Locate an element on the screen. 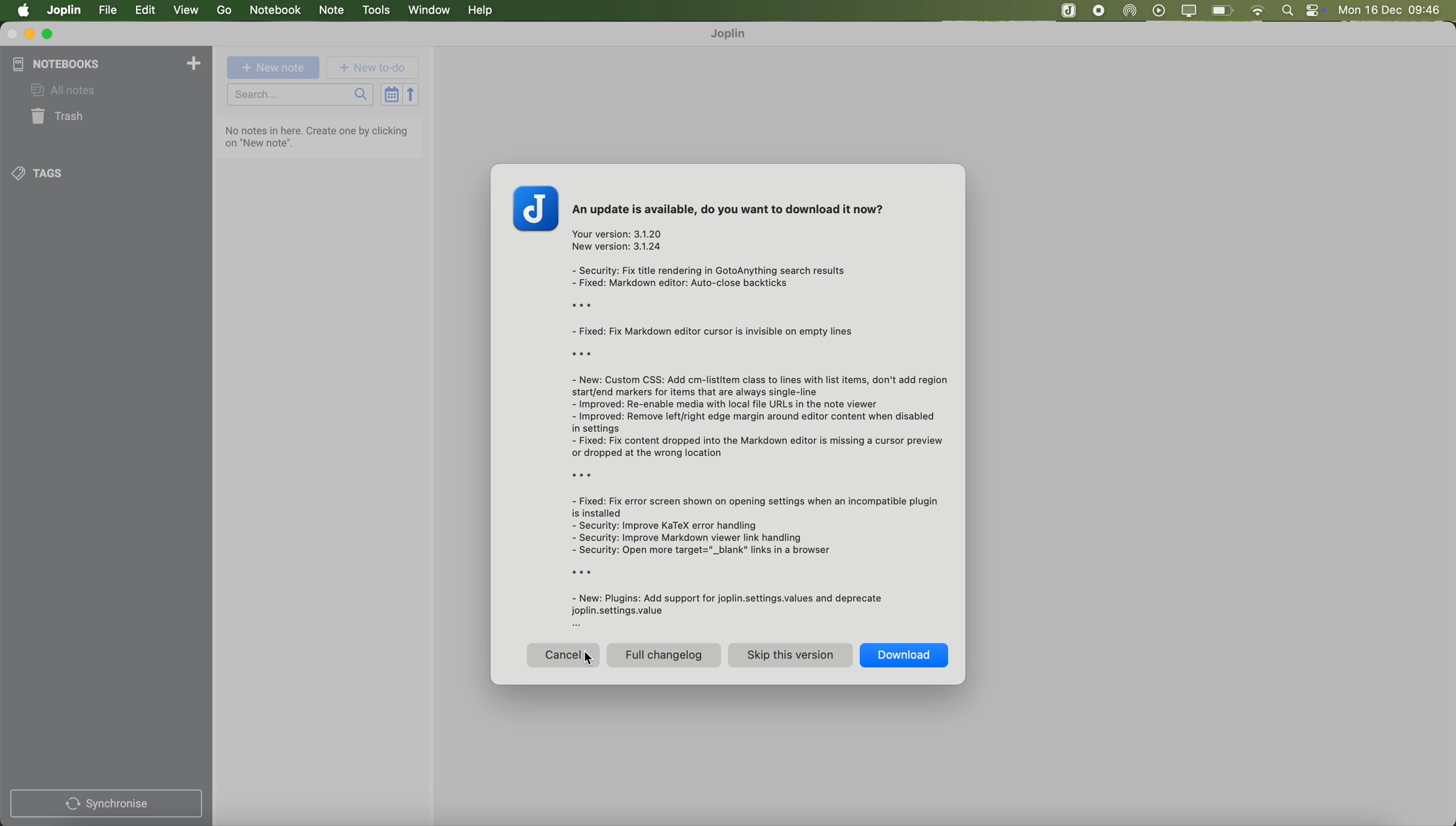  Joplin app is located at coordinates (1102, 12).